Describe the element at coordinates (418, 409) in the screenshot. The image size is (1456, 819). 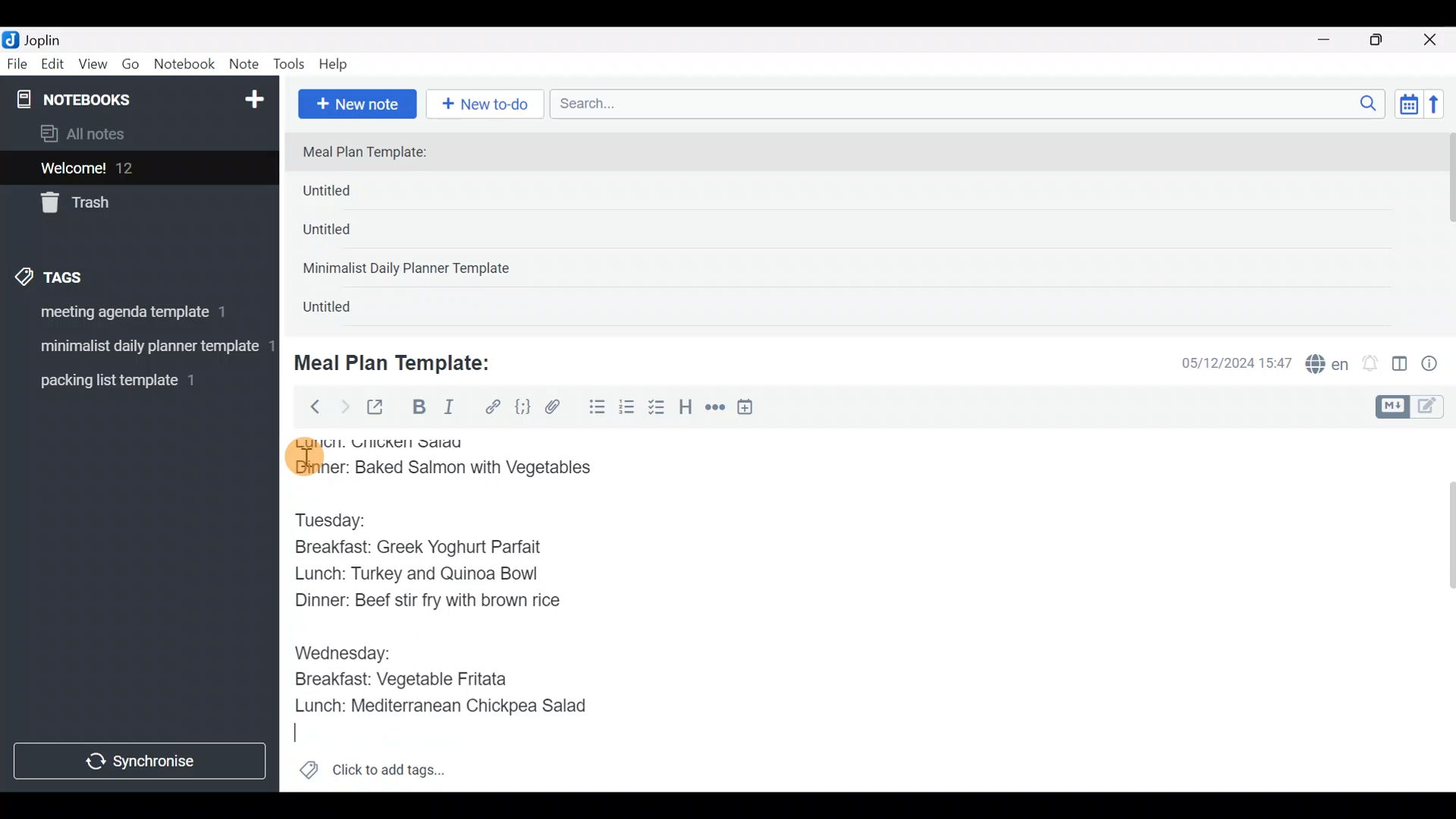
I see `Bold` at that location.